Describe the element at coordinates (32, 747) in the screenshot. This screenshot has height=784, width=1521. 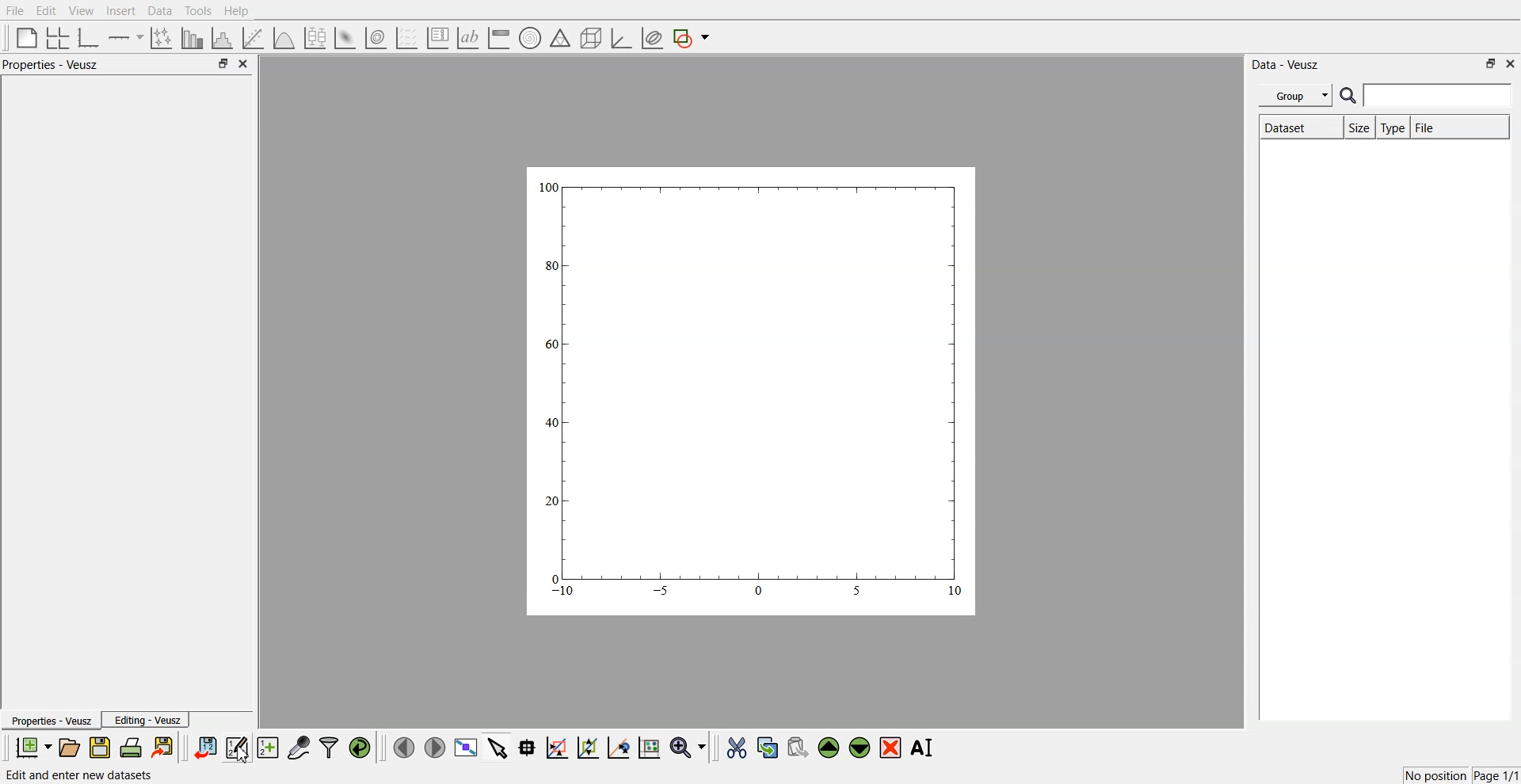
I see `new documents` at that location.